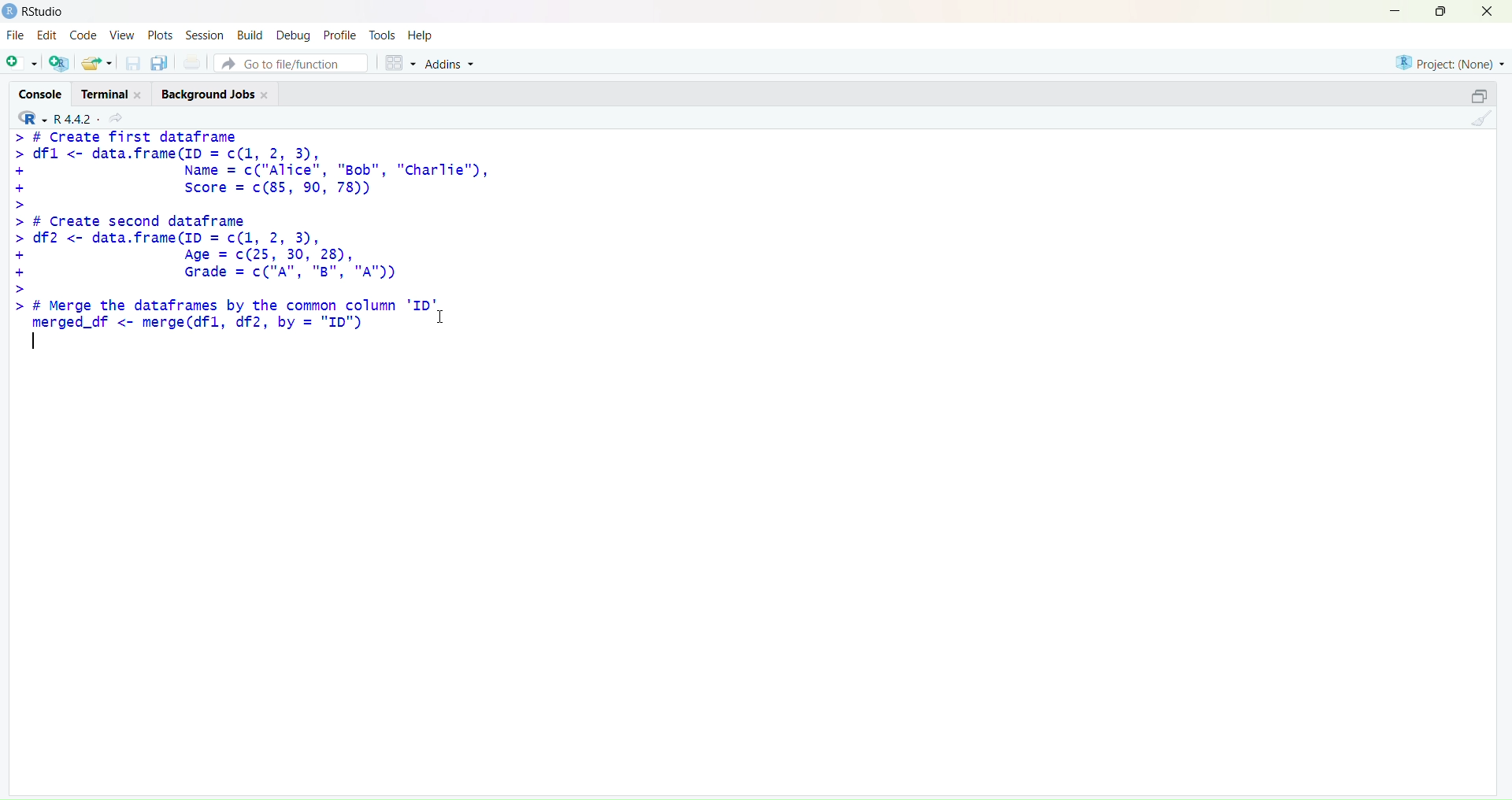 This screenshot has height=800, width=1512. What do you see at coordinates (381, 35) in the screenshot?
I see `Tools` at bounding box center [381, 35].